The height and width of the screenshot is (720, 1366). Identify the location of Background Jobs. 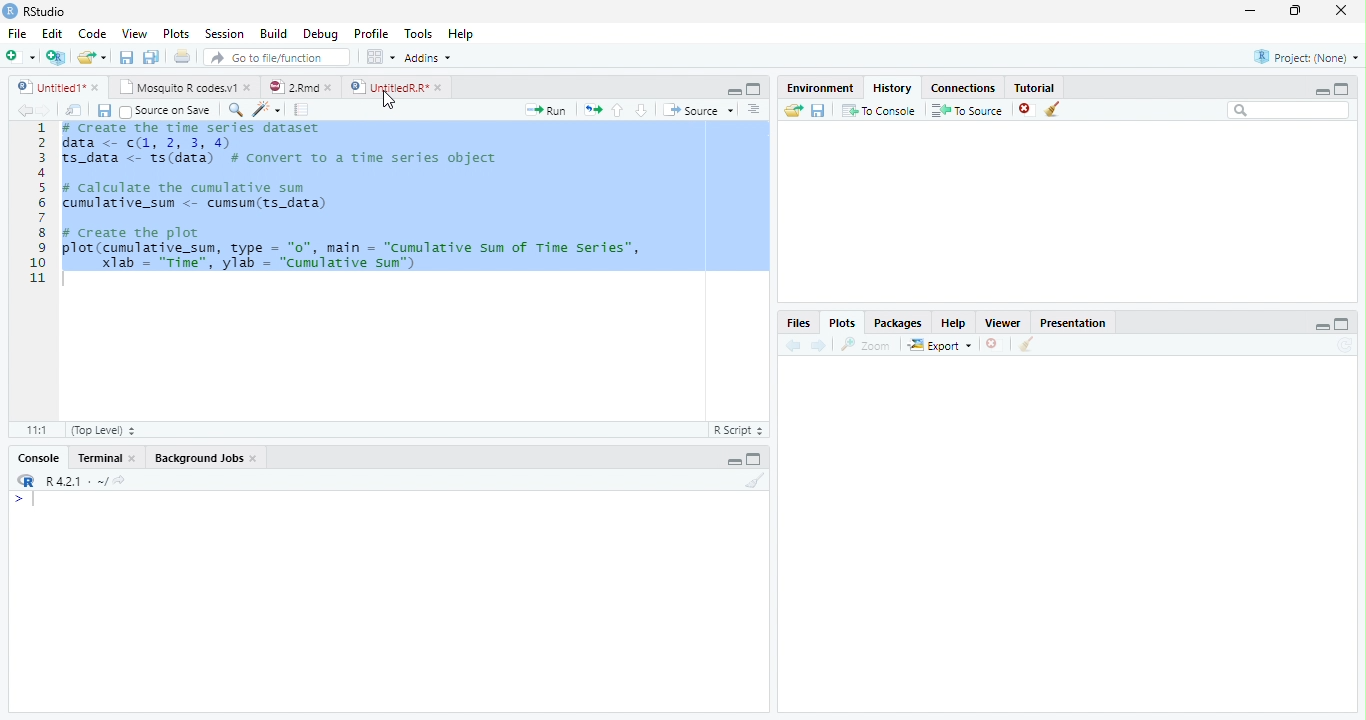
(207, 457).